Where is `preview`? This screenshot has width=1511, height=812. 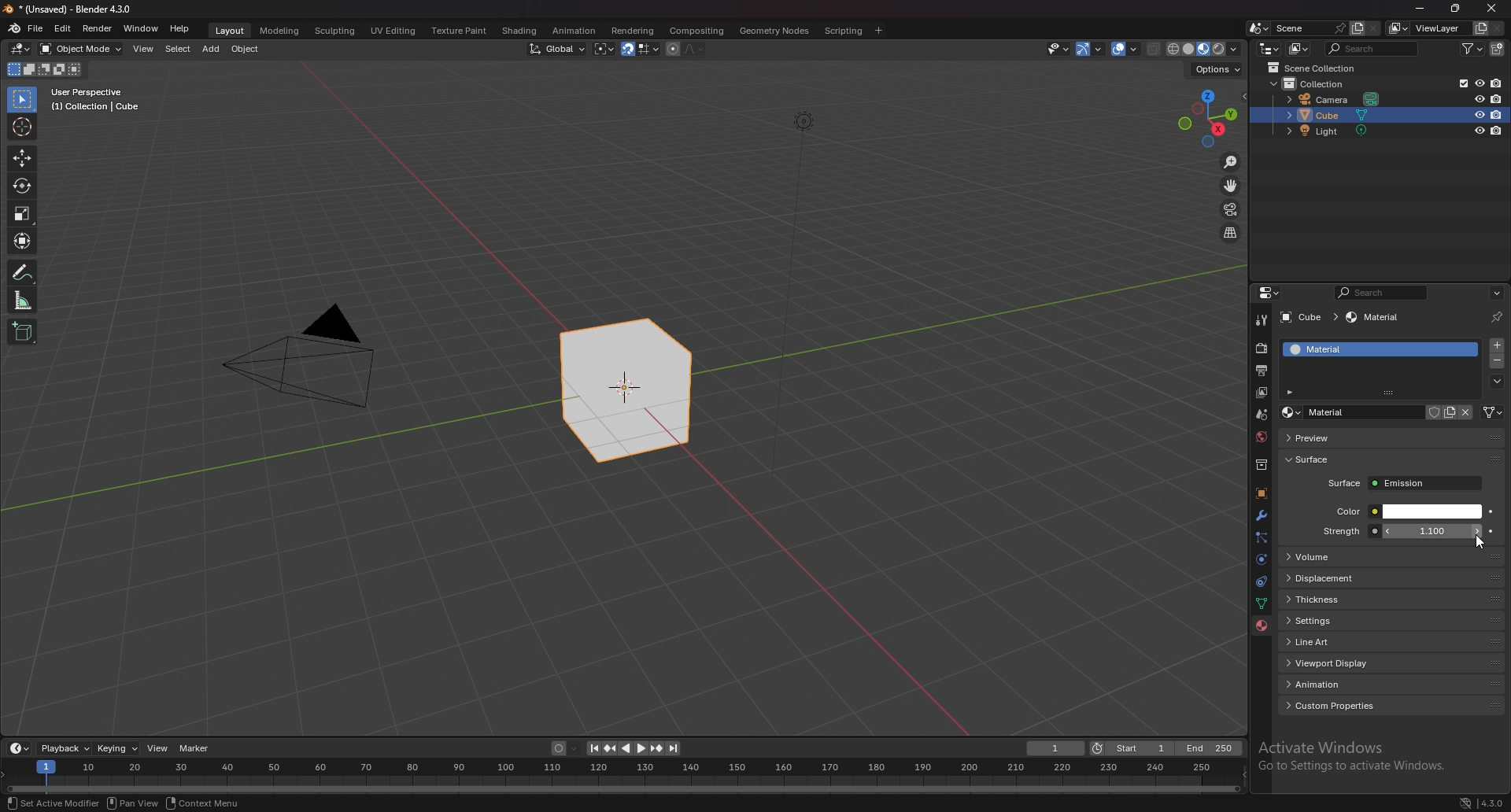 preview is located at coordinates (1338, 437).